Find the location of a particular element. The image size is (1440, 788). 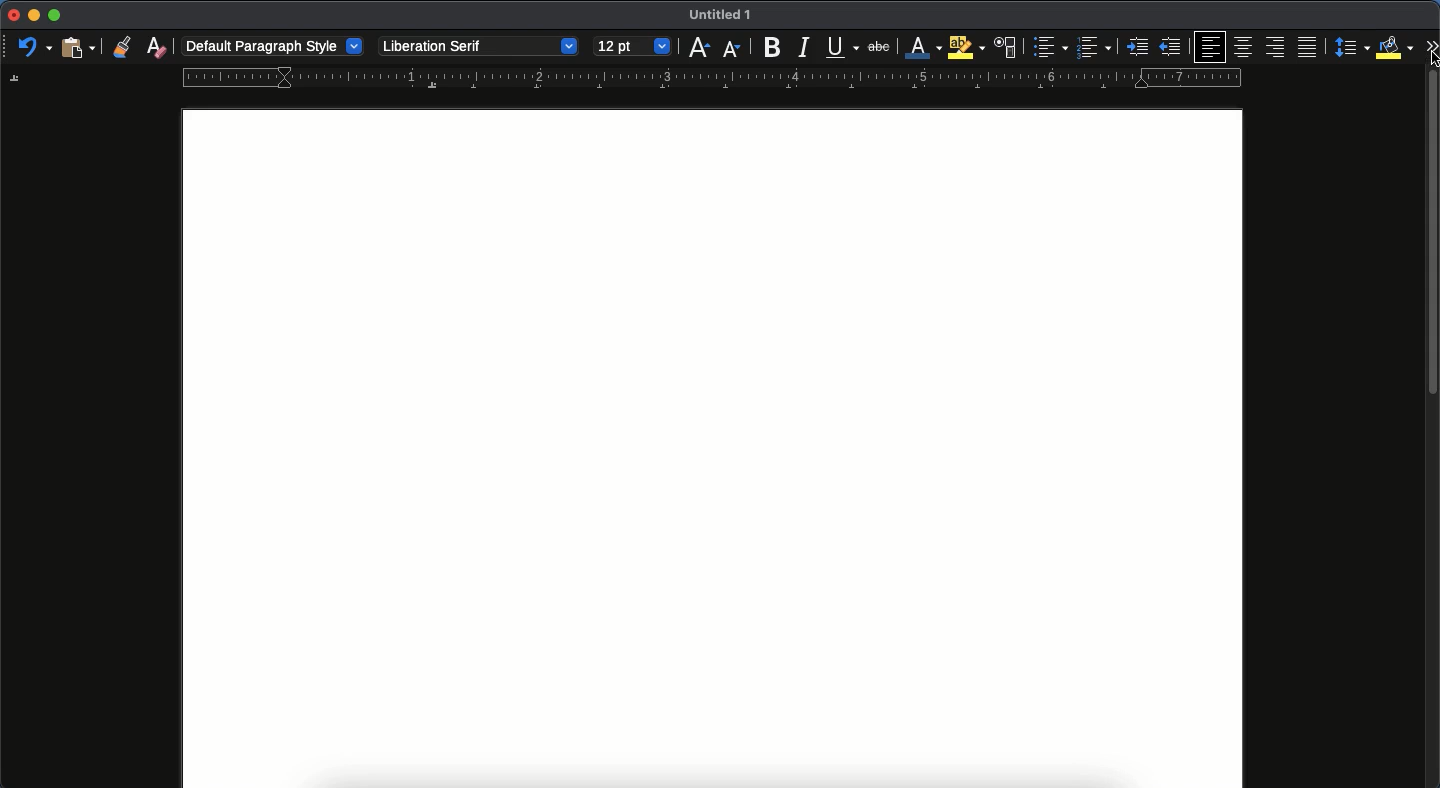

scroll is located at coordinates (1433, 432).